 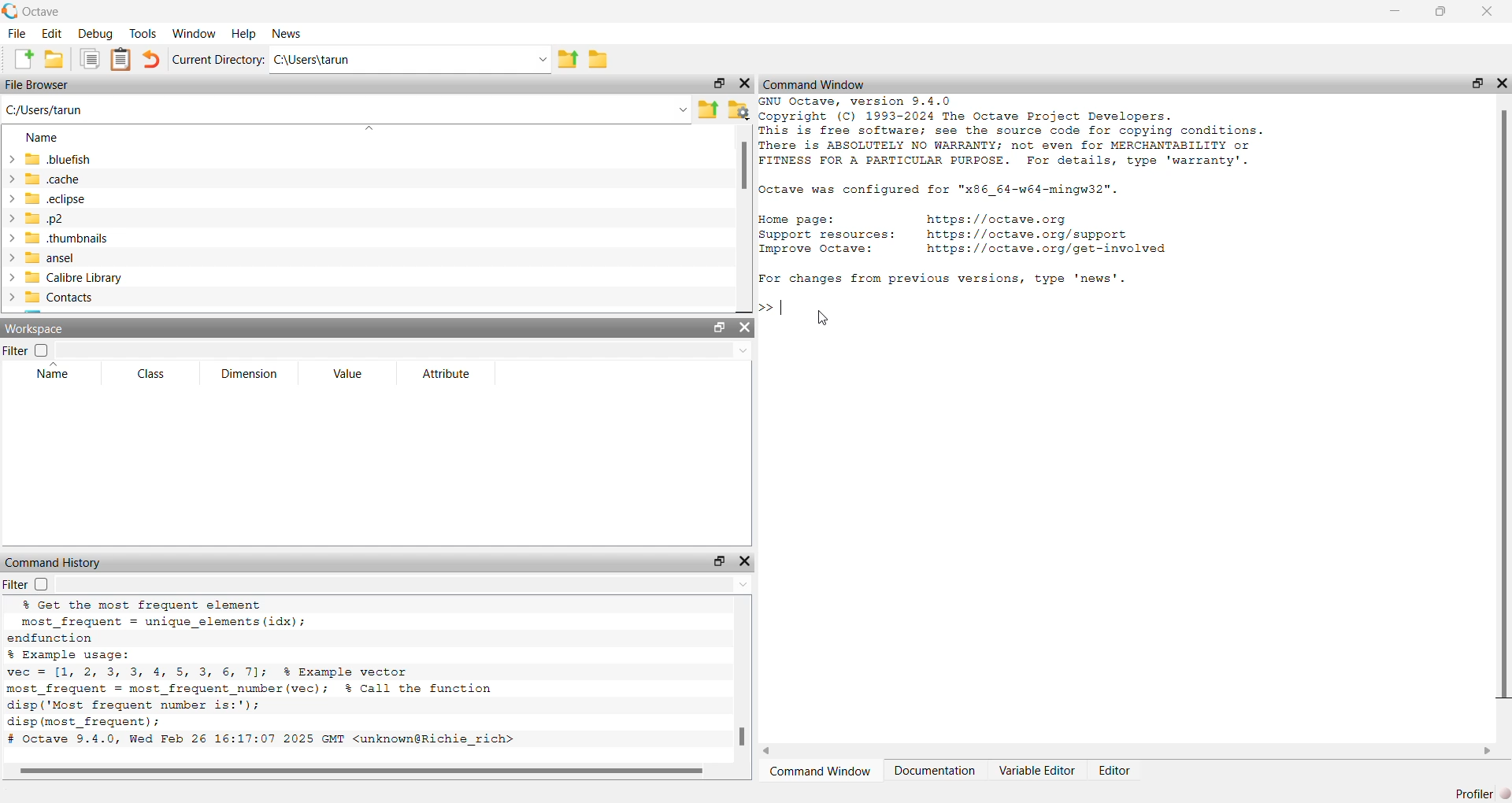 I want to click on Window, so click(x=194, y=33).